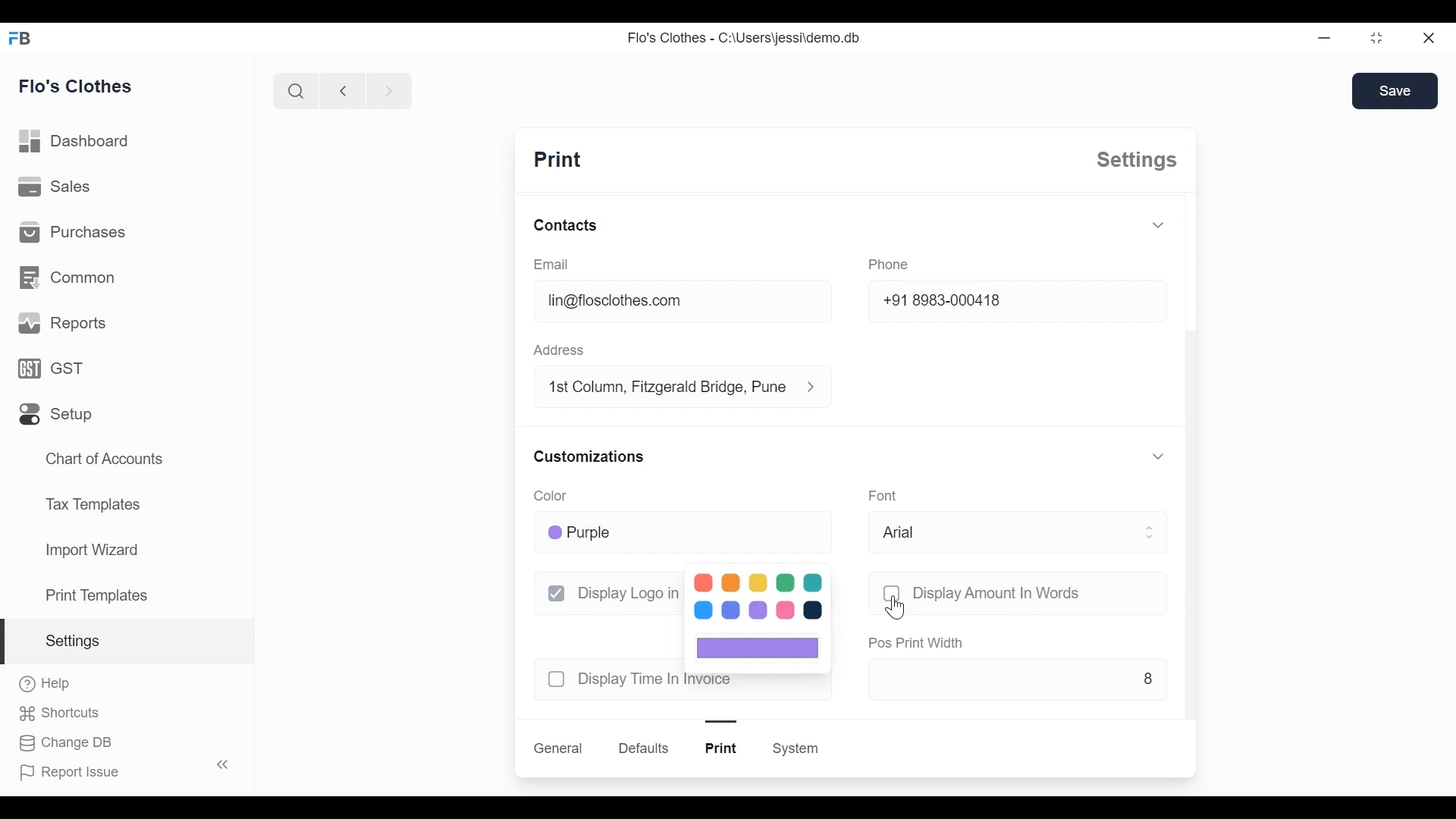 Image resolution: width=1456 pixels, height=819 pixels. I want to click on print, so click(557, 160).